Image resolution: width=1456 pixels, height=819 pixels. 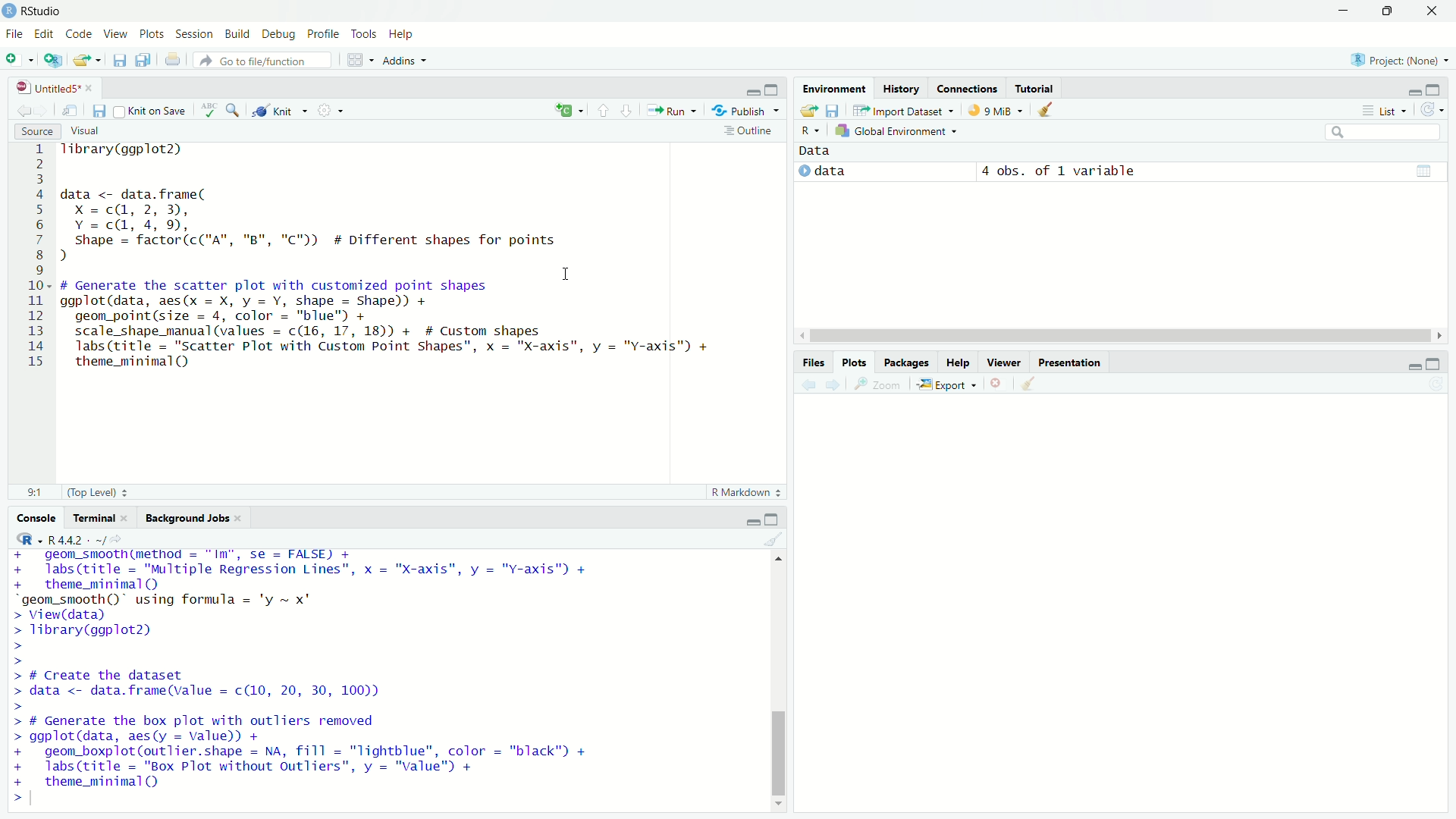 What do you see at coordinates (406, 60) in the screenshot?
I see `Addins` at bounding box center [406, 60].